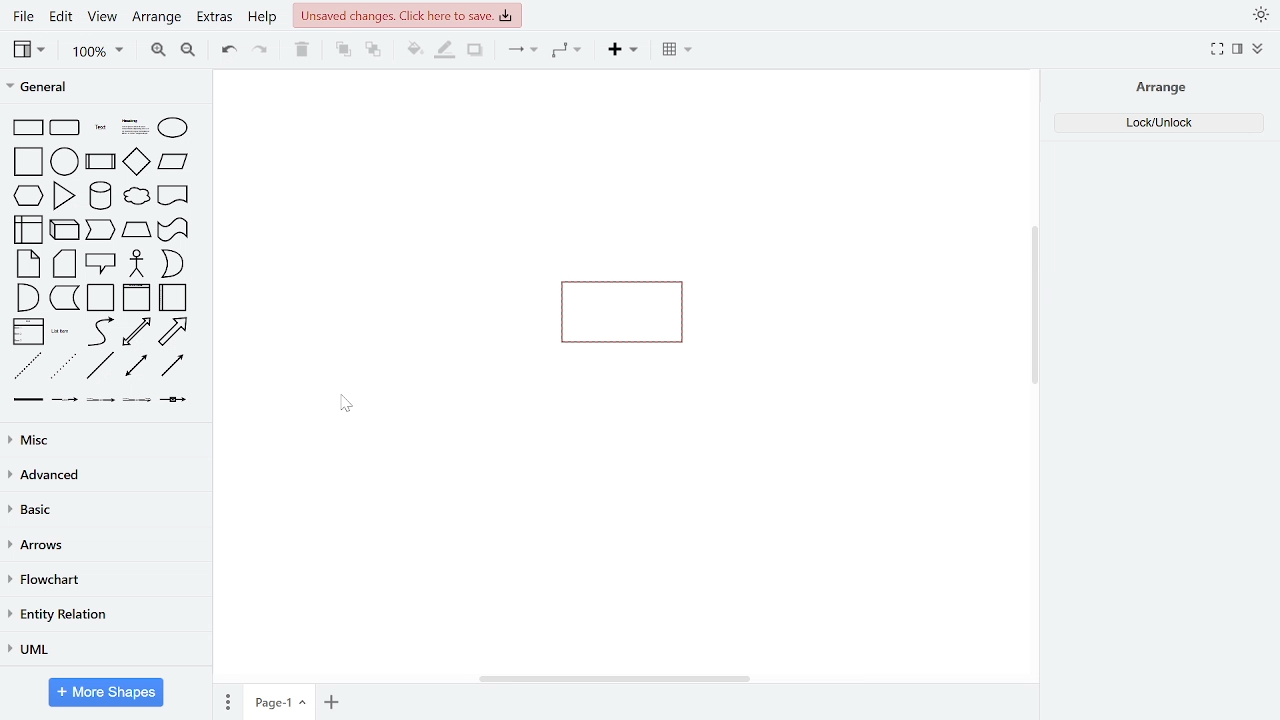  I want to click on full screen, so click(1218, 48).